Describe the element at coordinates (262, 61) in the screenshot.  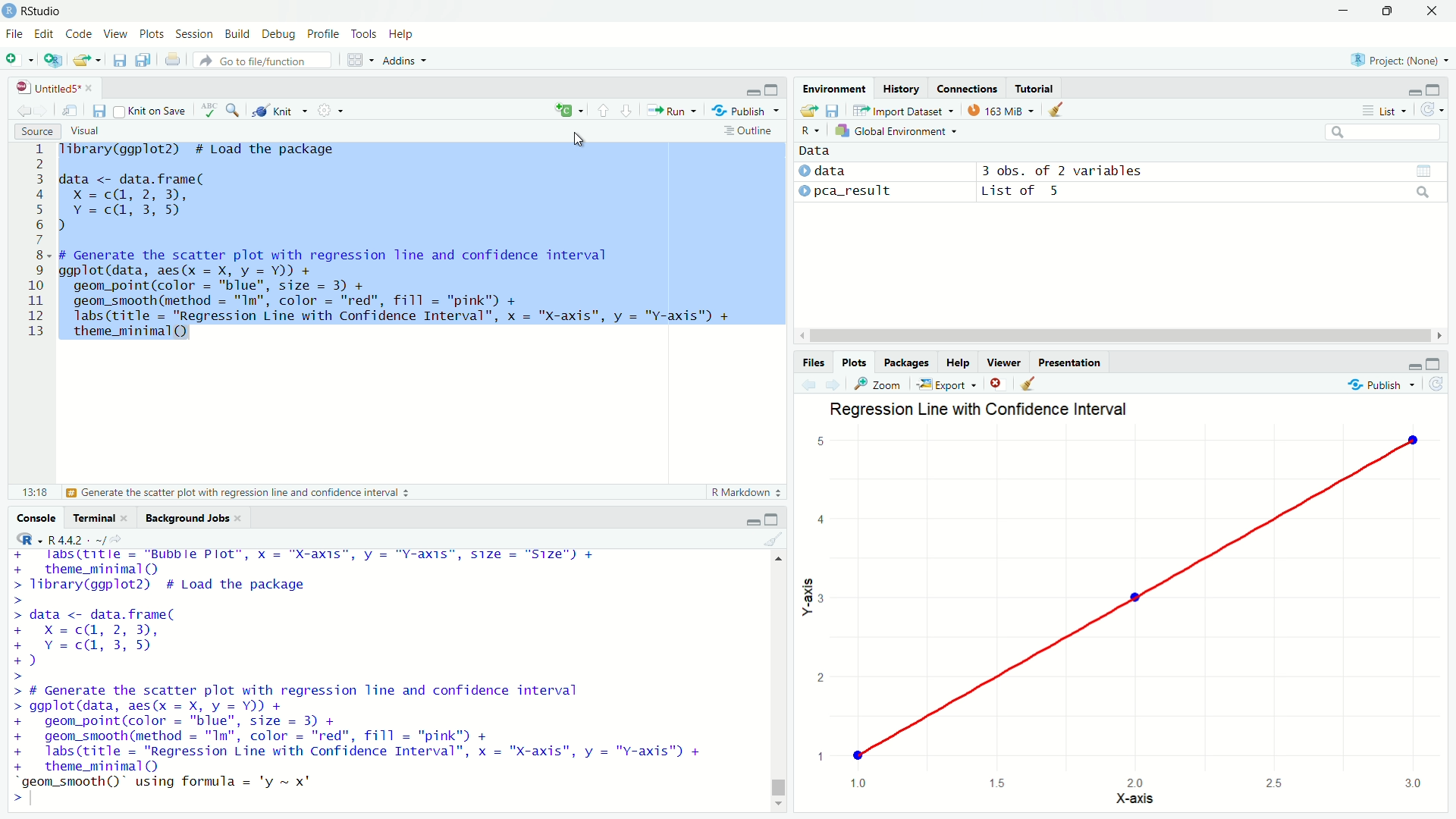
I see `Go to file/function` at that location.